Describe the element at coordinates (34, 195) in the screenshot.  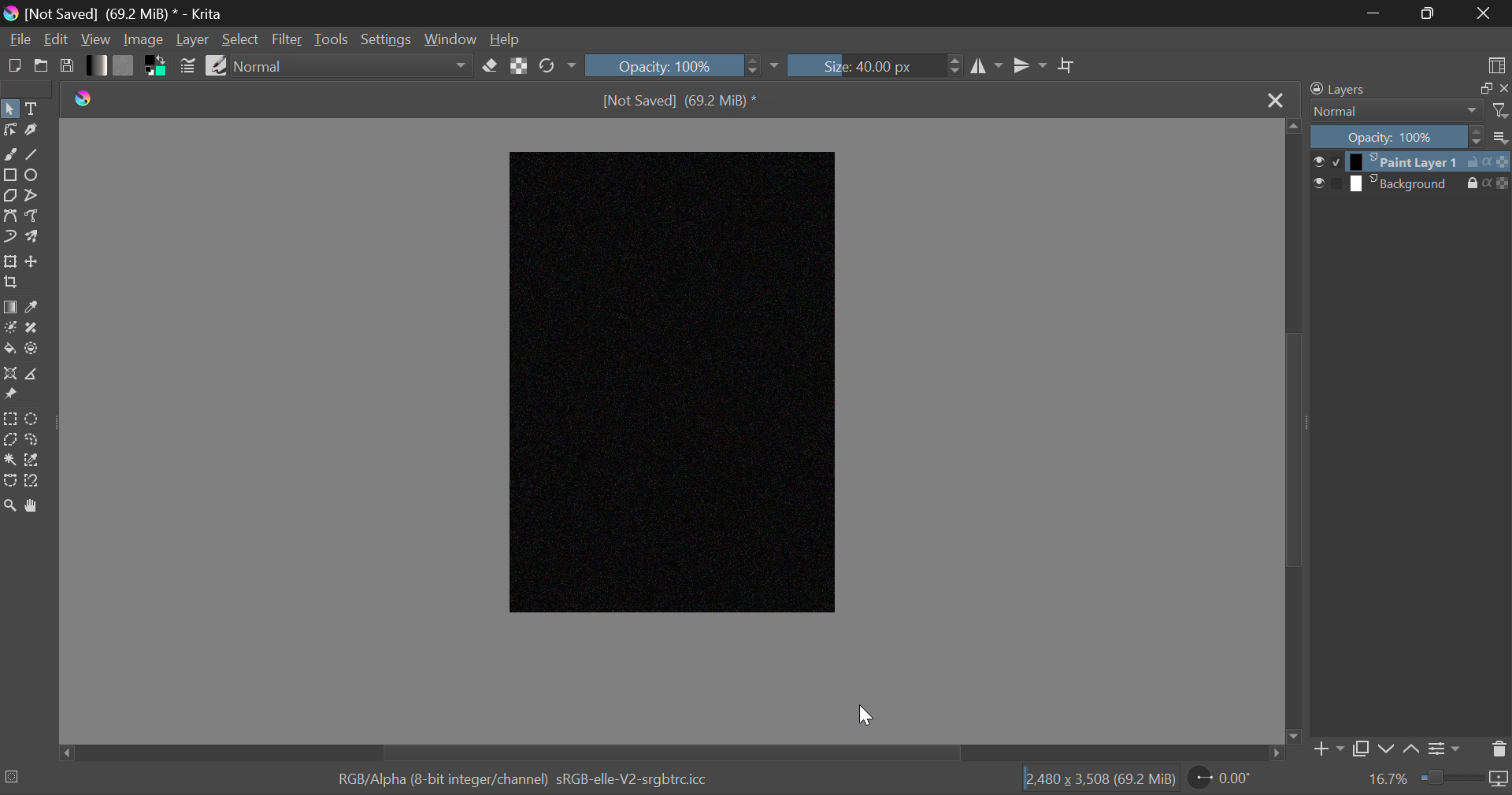
I see `Polyline` at that location.